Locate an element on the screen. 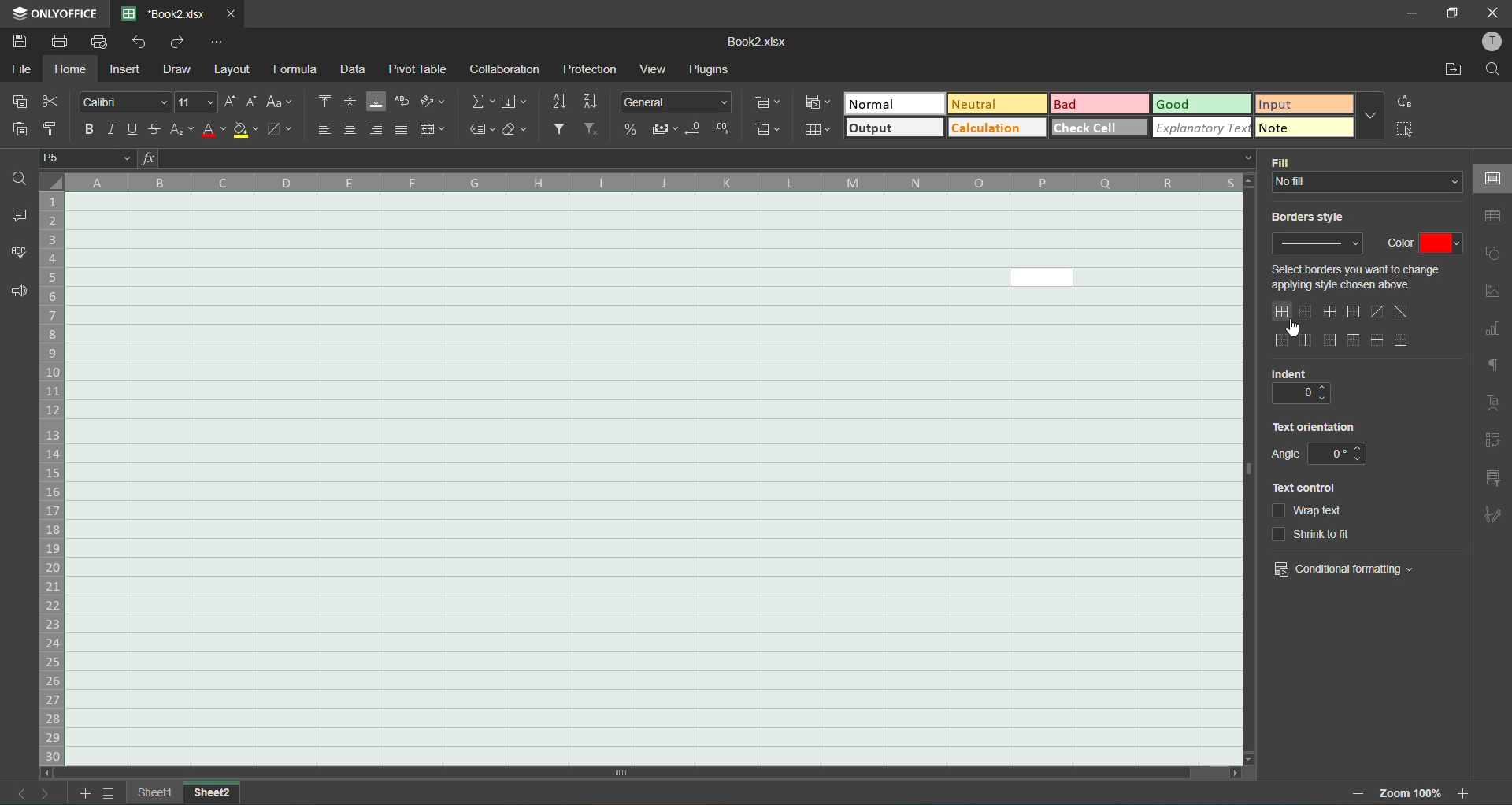 The height and width of the screenshot is (805, 1512). previous is located at coordinates (16, 792).